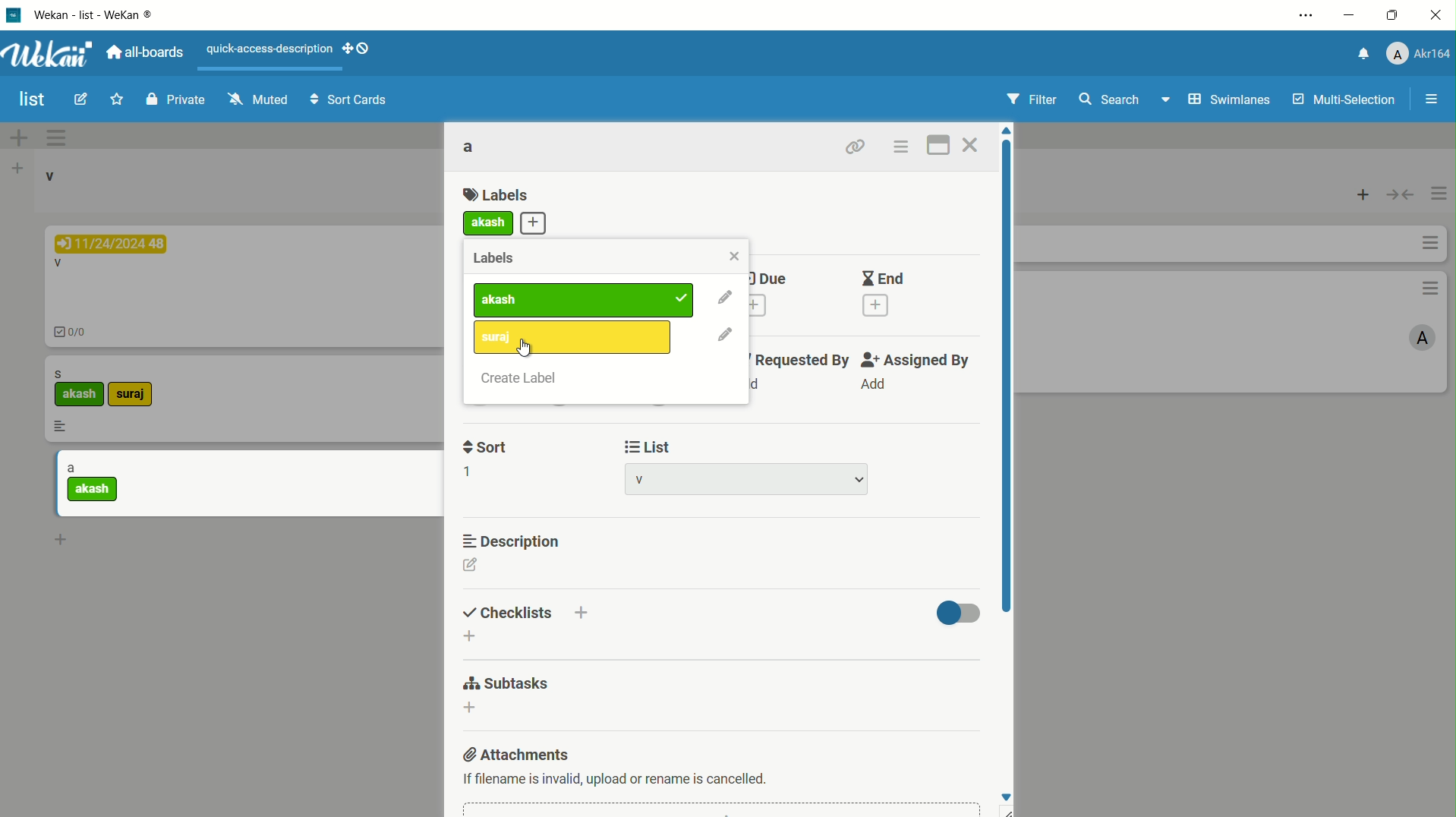 This screenshot has height=817, width=1456. Describe the element at coordinates (581, 614) in the screenshot. I see `add checklist` at that location.